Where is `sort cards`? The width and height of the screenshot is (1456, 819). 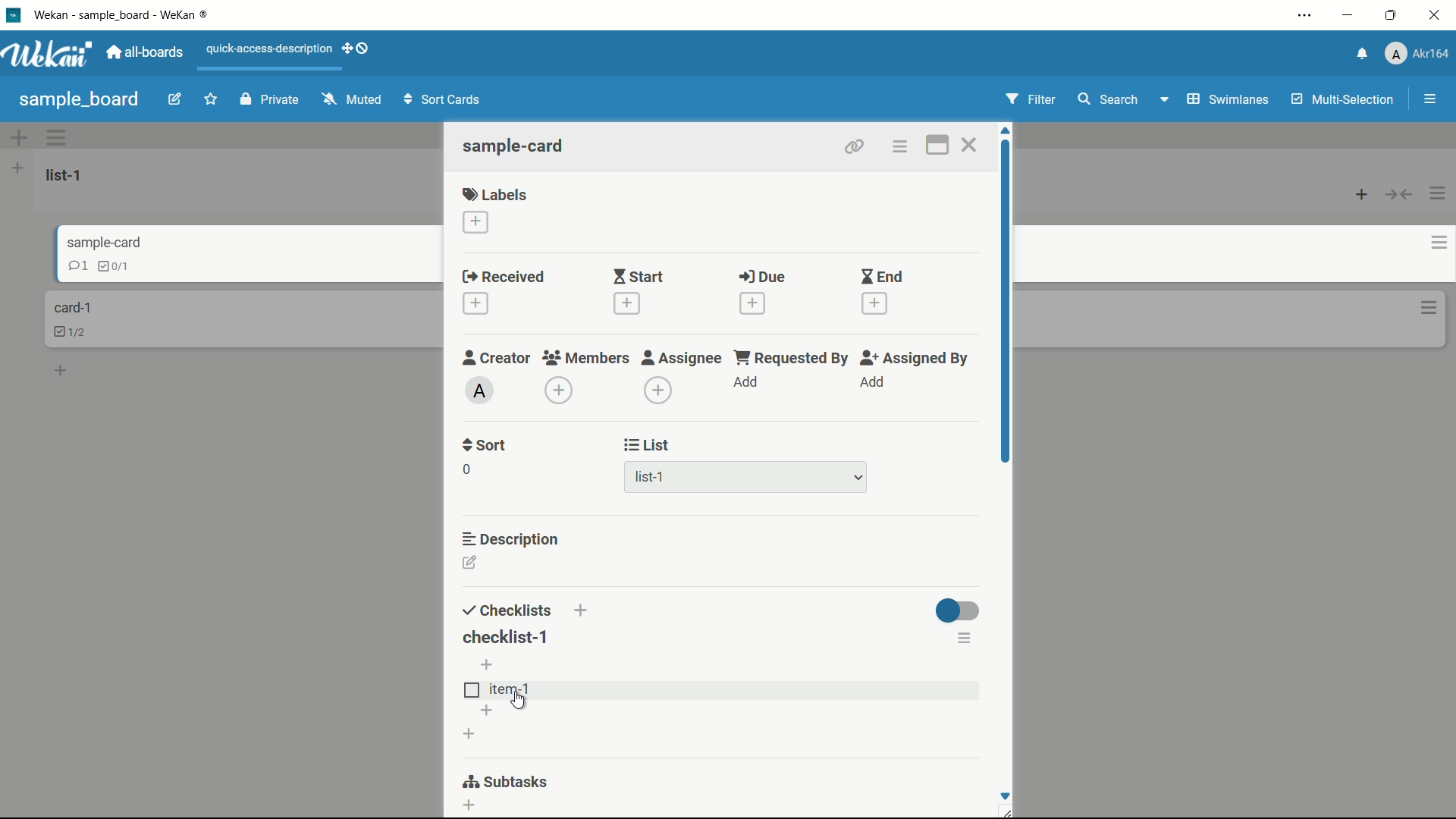
sort cards is located at coordinates (444, 99).